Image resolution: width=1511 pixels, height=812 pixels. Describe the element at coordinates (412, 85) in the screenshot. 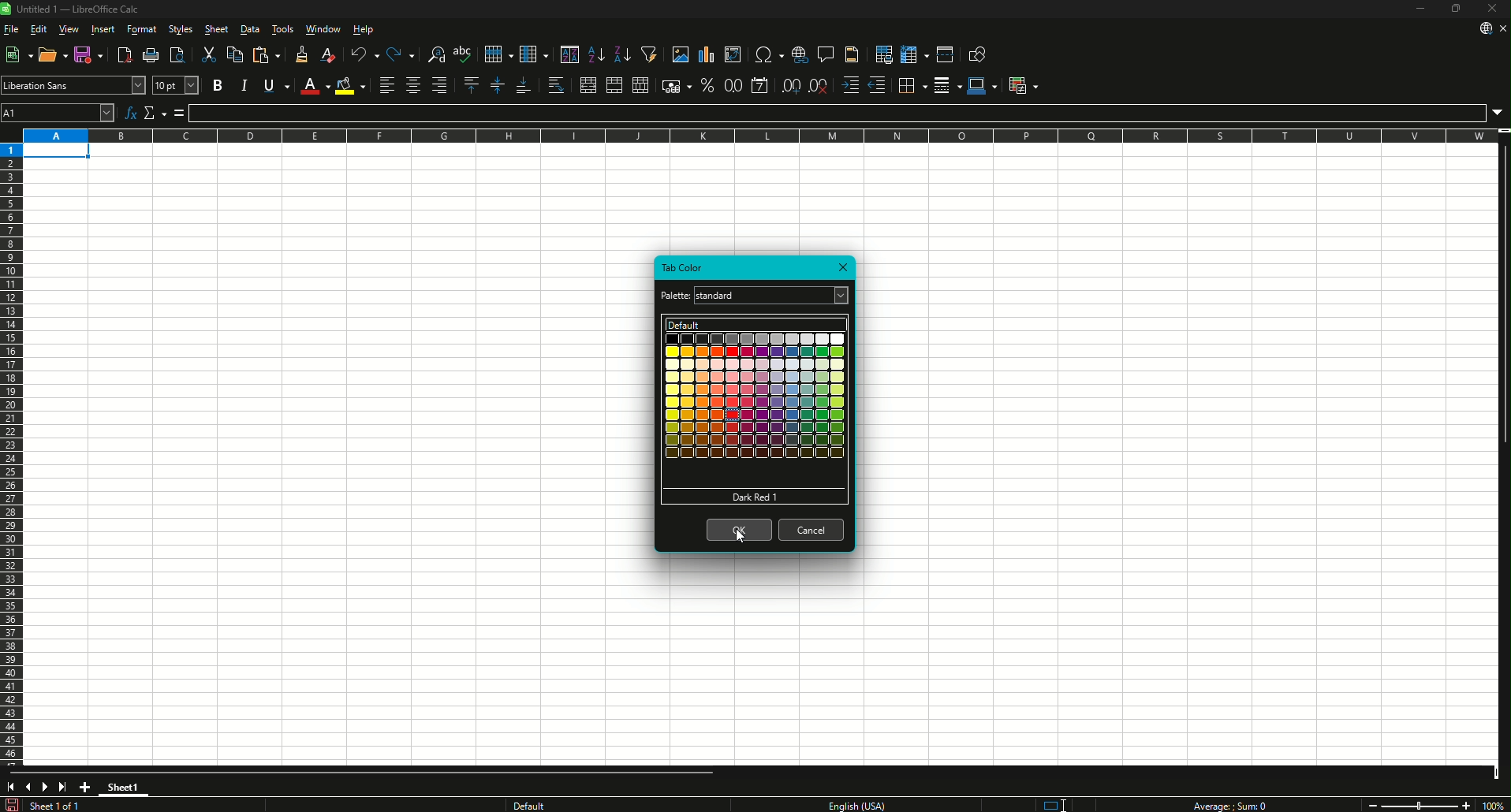

I see `Align Center` at that location.